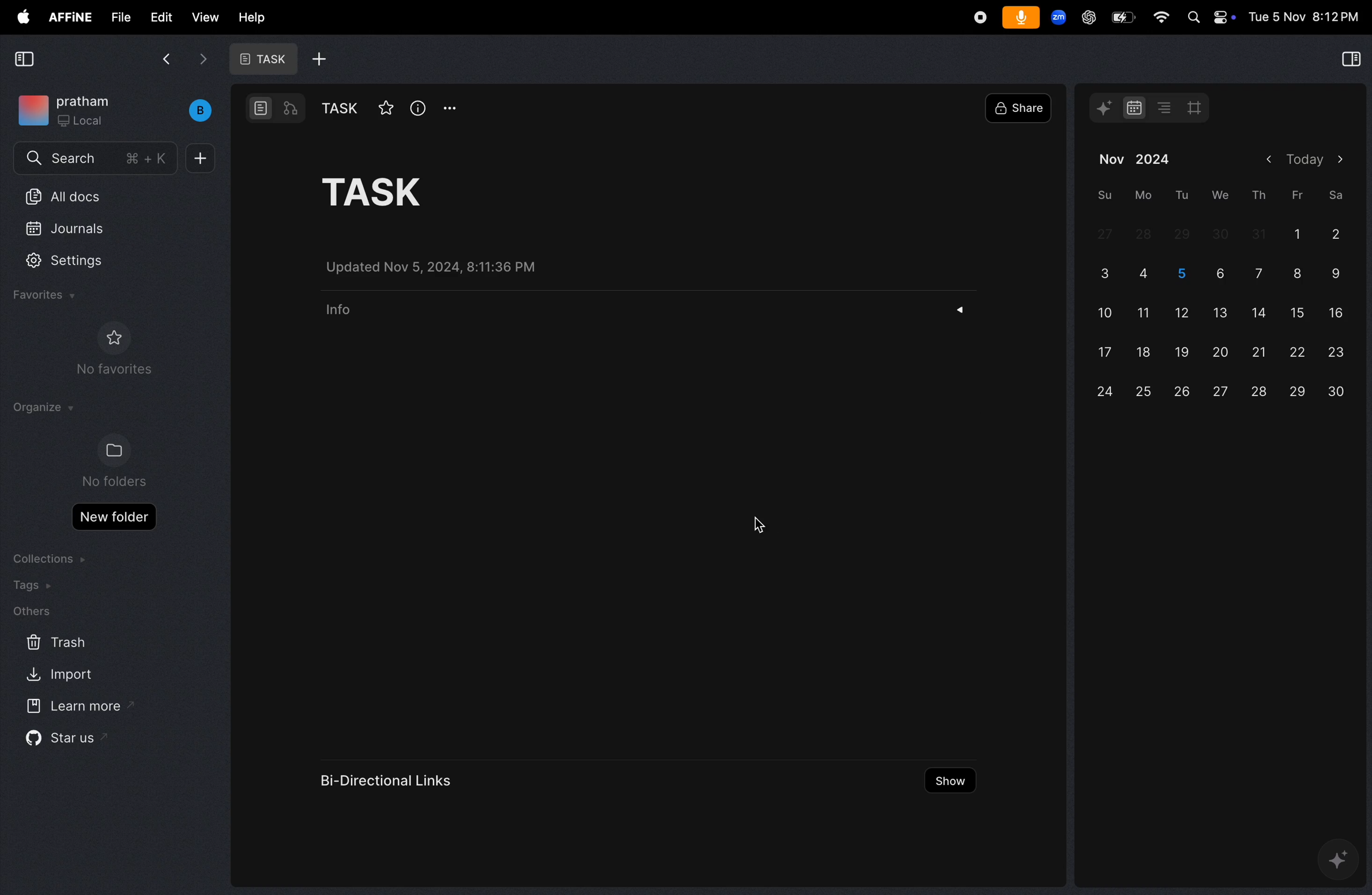 This screenshot has width=1372, height=895. What do you see at coordinates (758, 522) in the screenshot?
I see `cursor` at bounding box center [758, 522].